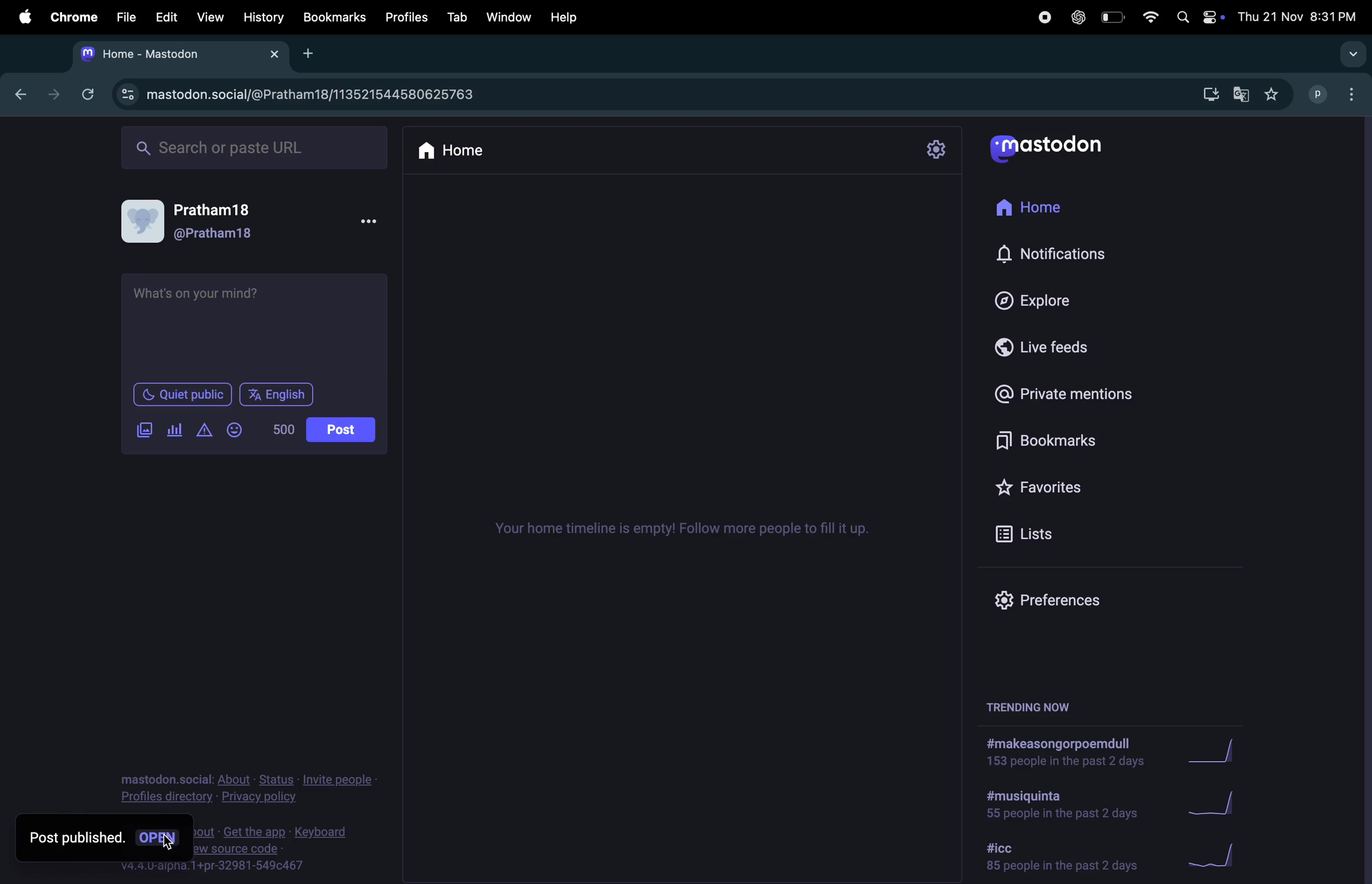 The height and width of the screenshot is (884, 1372). Describe the element at coordinates (1076, 17) in the screenshot. I see `chatgpt` at that location.